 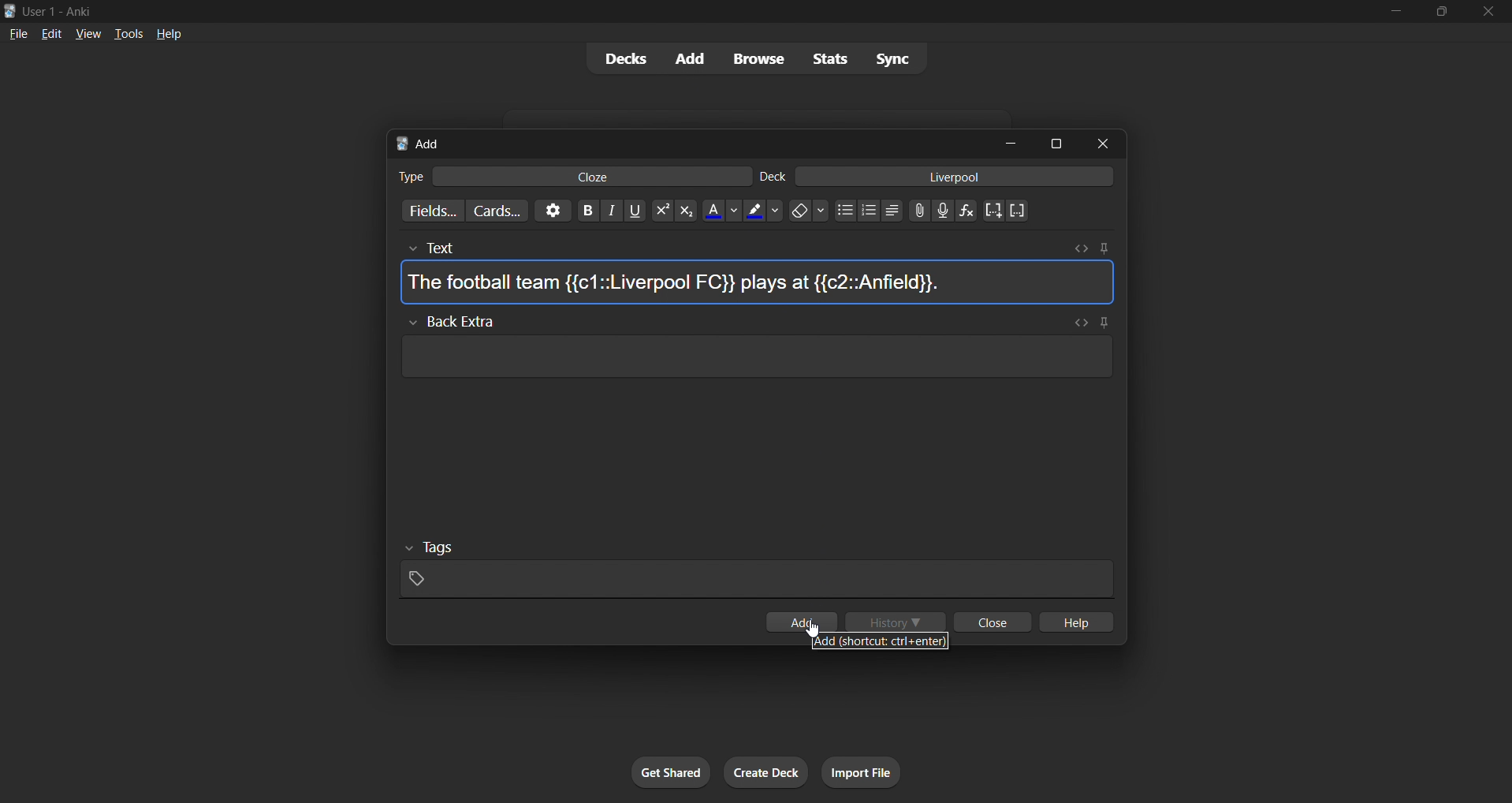 I want to click on minimize, so click(x=1002, y=142).